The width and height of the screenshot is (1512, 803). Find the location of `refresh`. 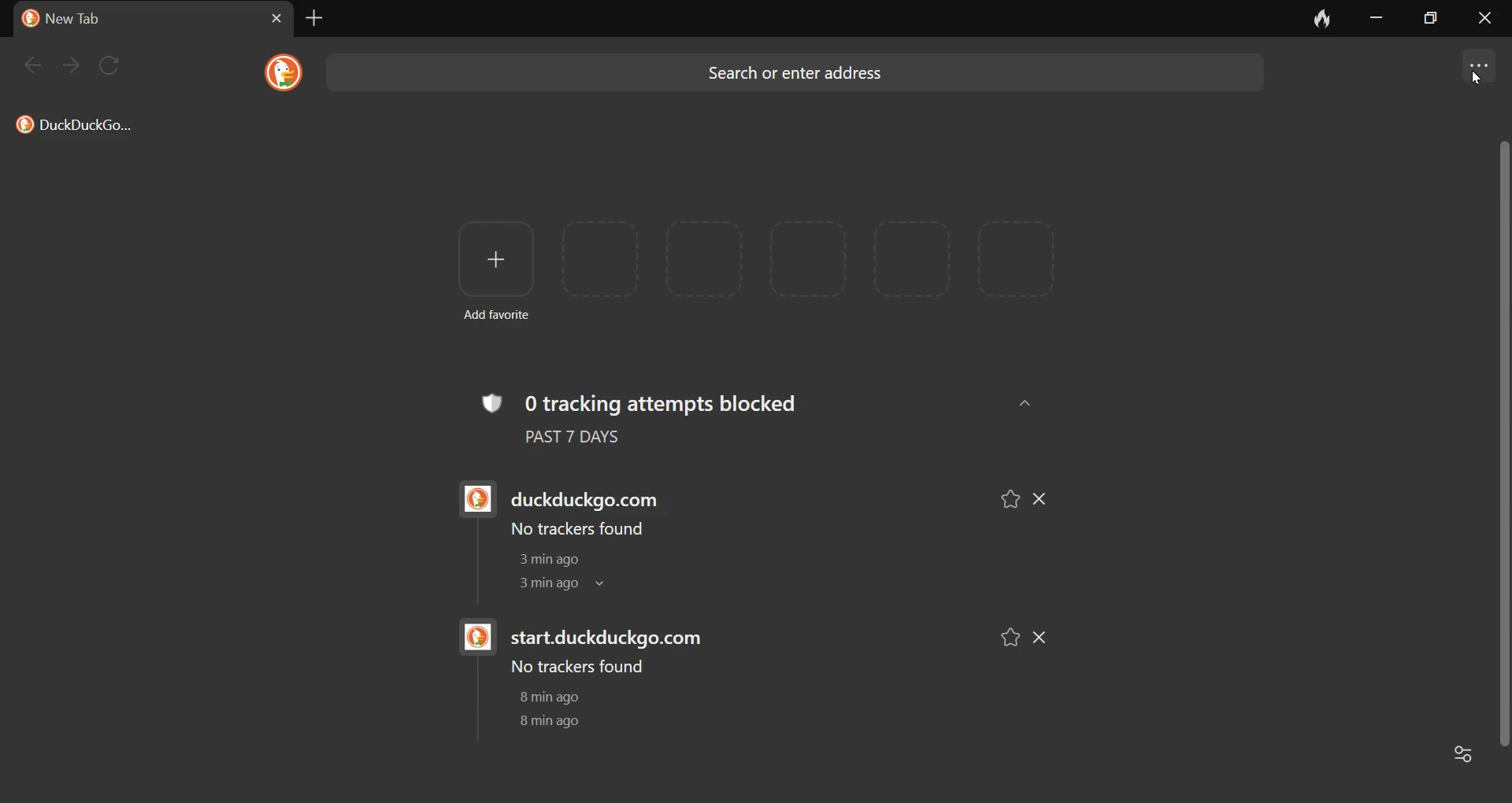

refresh is located at coordinates (112, 61).